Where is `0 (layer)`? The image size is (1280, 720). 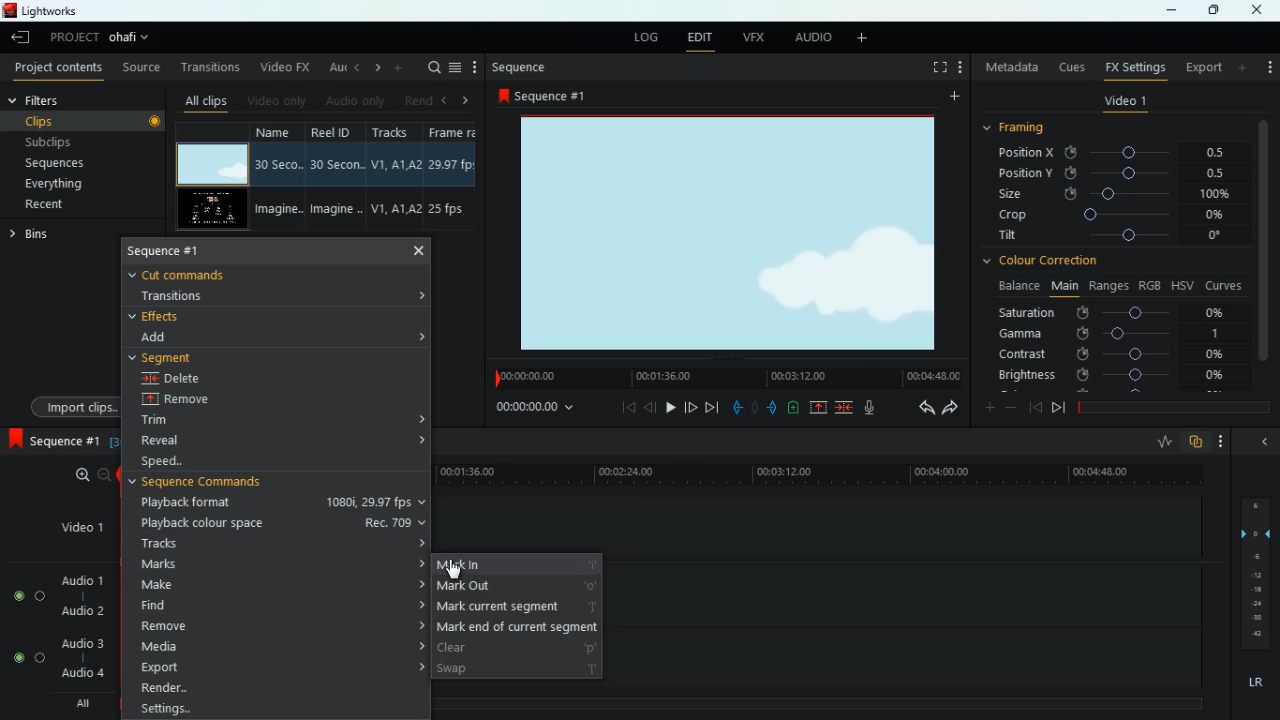 0 (layer) is located at coordinates (1252, 531).